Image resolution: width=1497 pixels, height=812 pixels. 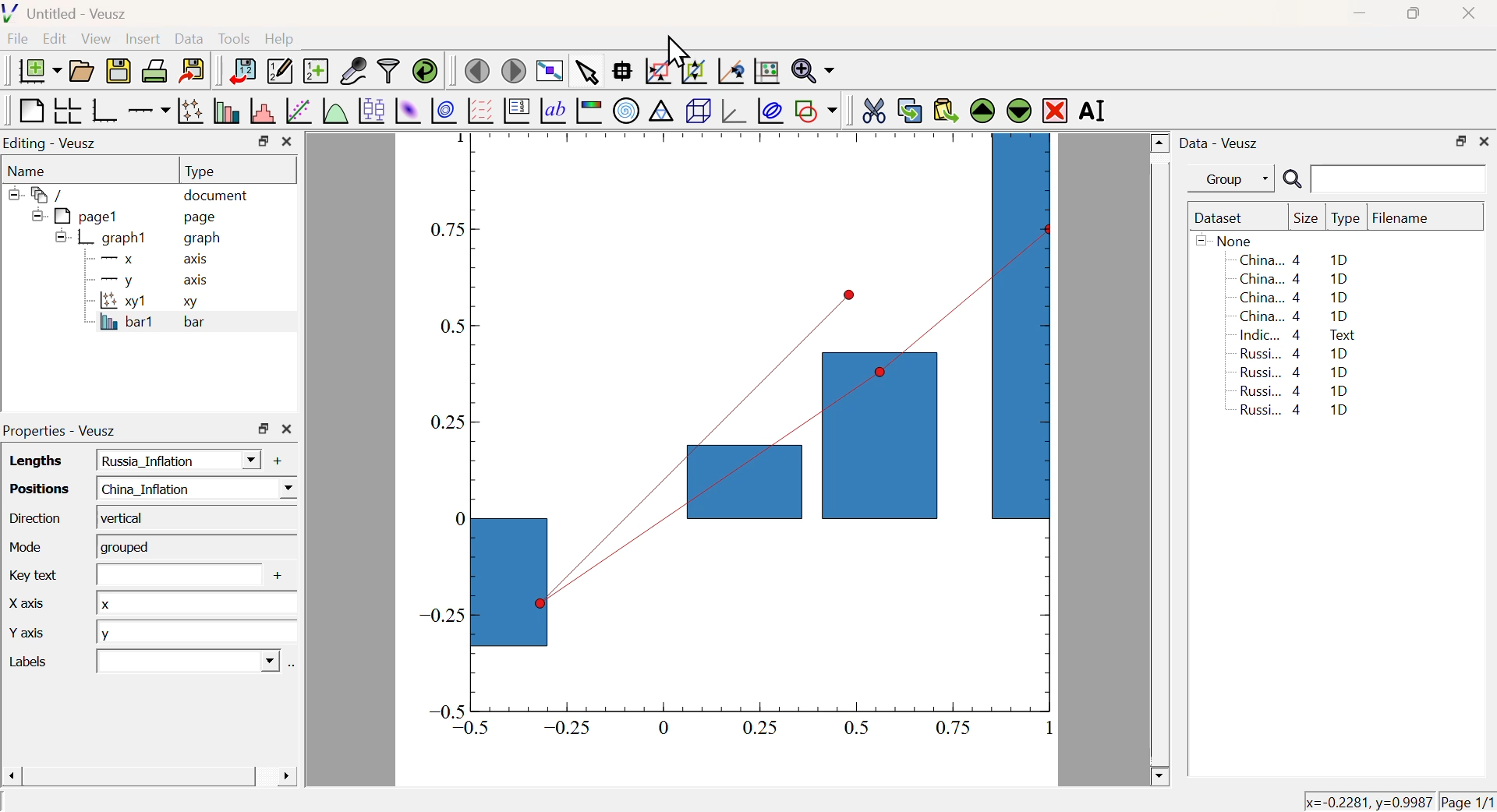 What do you see at coordinates (1297, 335) in the screenshot?
I see `Indic... 4 Text` at bounding box center [1297, 335].